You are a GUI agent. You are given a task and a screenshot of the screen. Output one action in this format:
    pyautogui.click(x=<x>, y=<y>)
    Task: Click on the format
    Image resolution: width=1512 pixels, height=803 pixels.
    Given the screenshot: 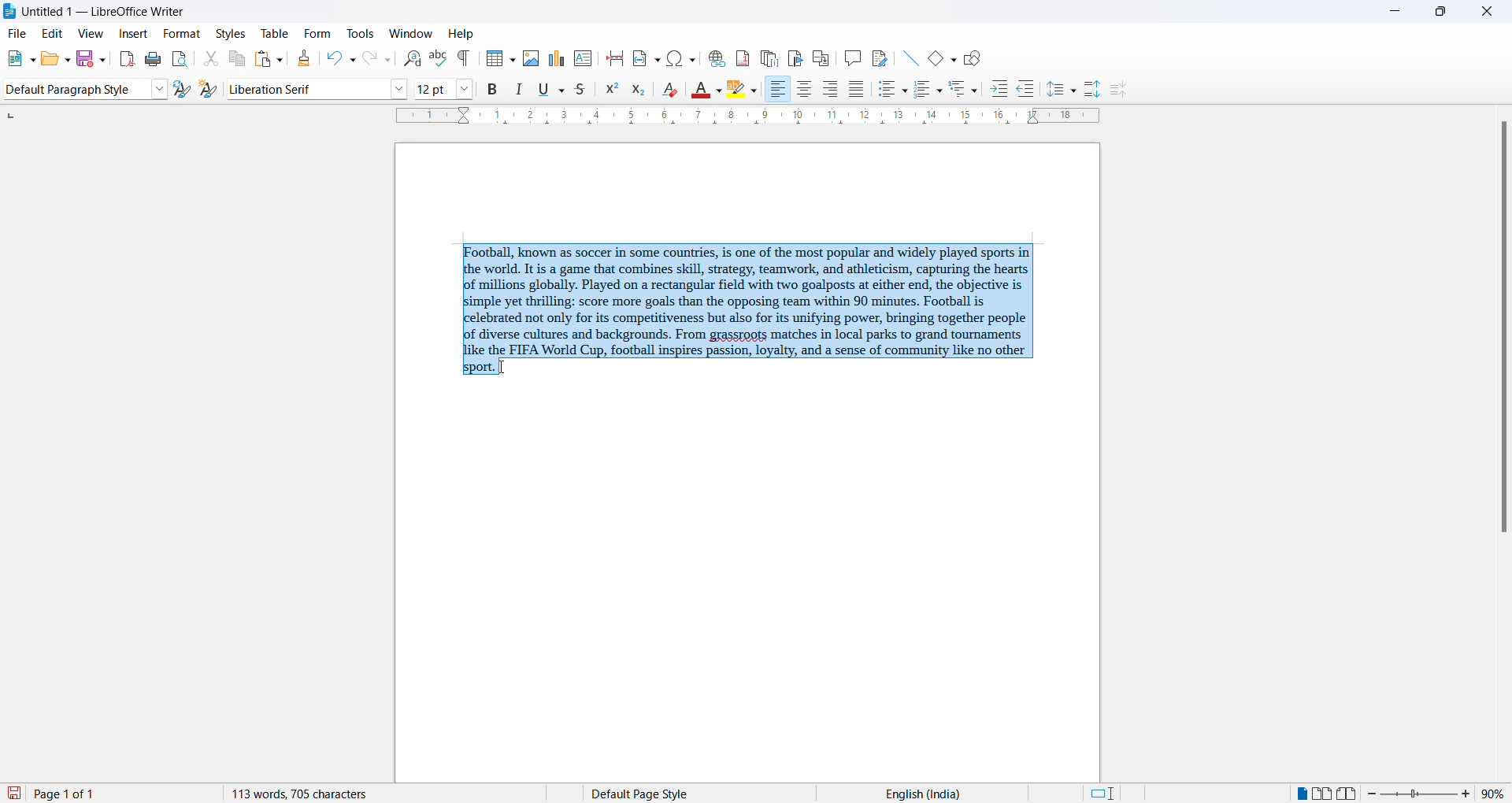 What is the action you would take?
    pyautogui.click(x=181, y=33)
    